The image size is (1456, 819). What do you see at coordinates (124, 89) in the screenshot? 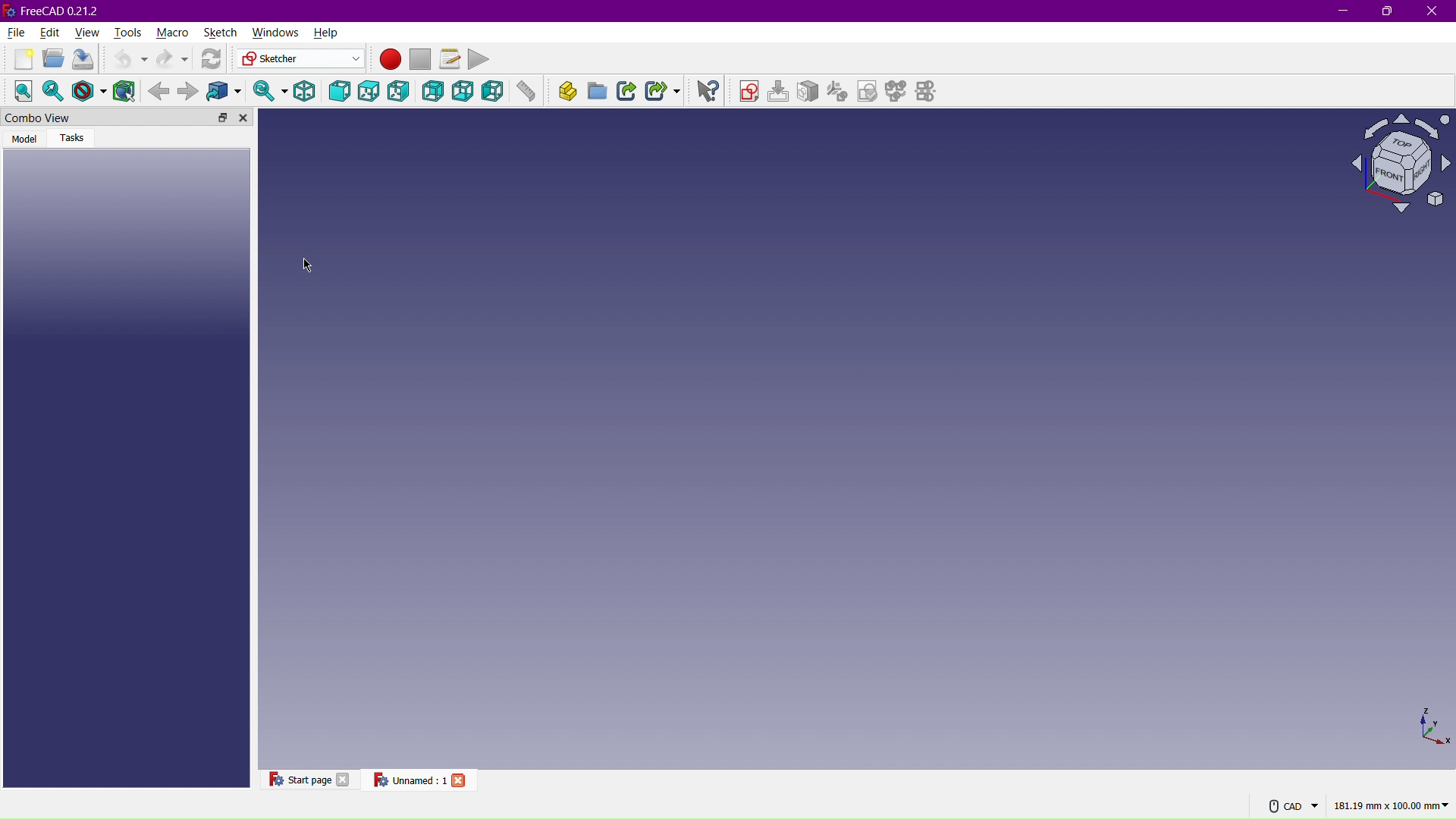
I see `Bounding Box` at bounding box center [124, 89].